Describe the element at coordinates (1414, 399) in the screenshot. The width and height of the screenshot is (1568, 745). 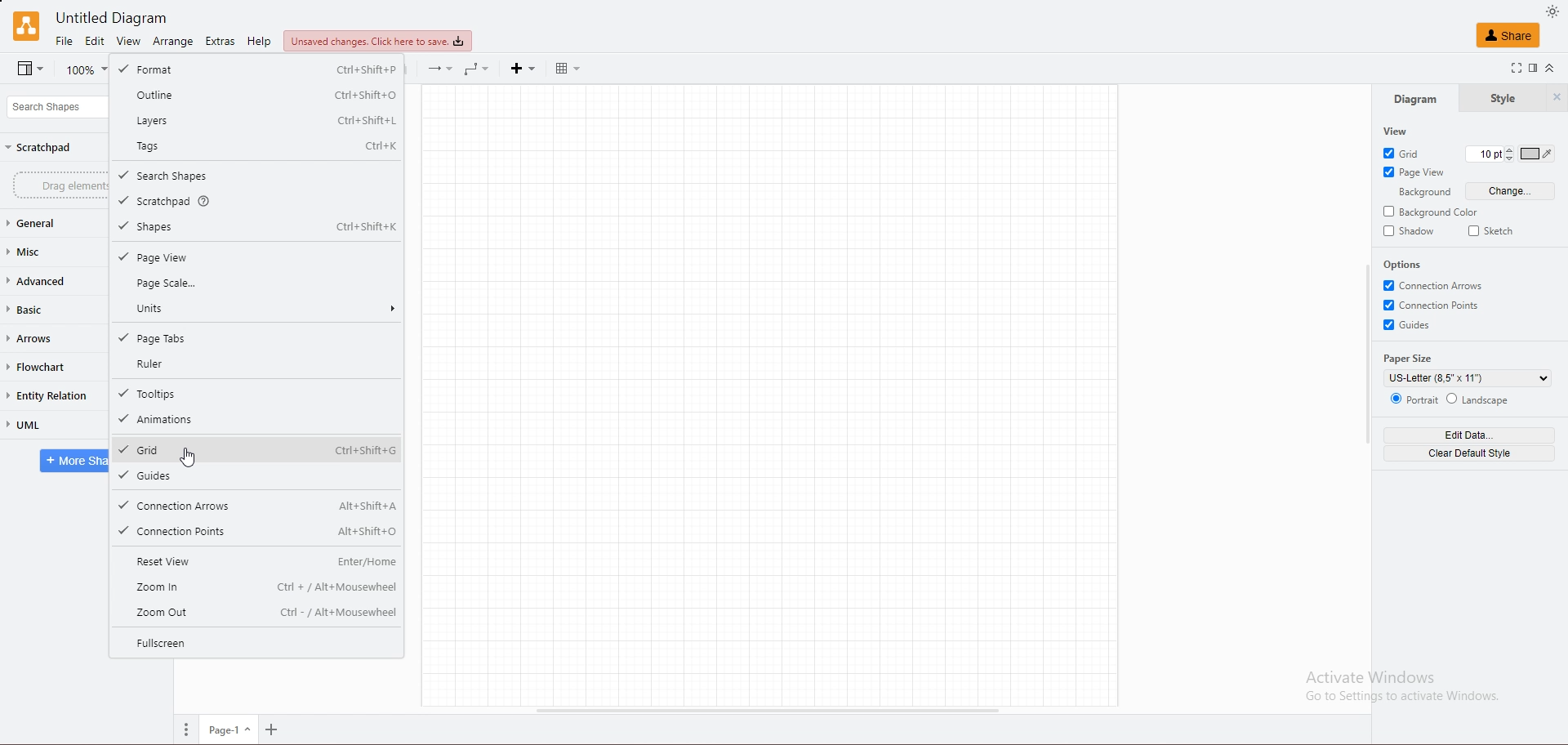
I see `portrait` at that location.